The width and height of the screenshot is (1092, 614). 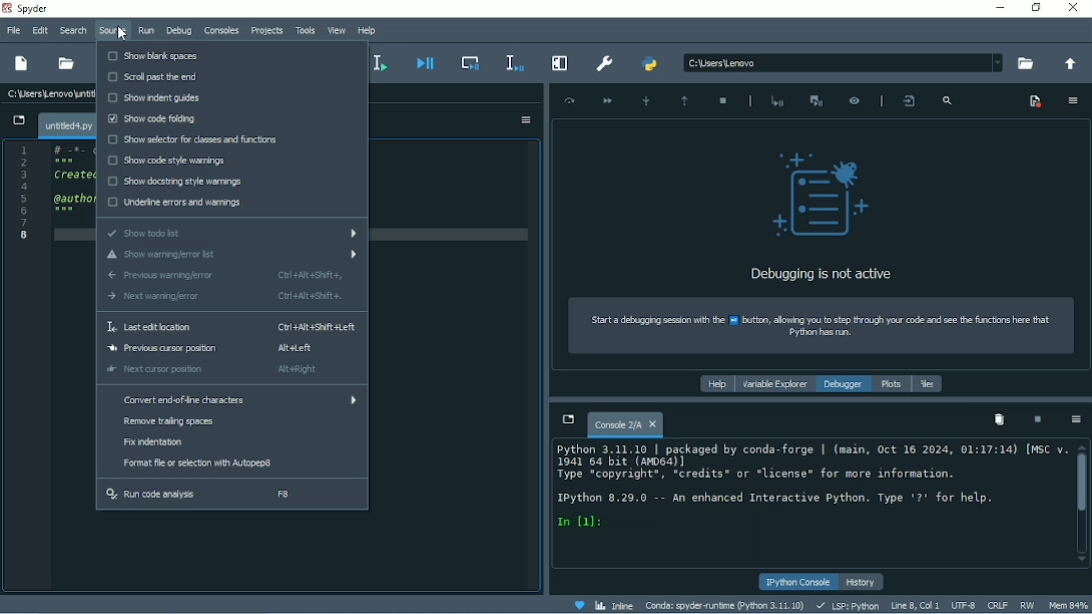 I want to click on Remove all variables from namespace, so click(x=995, y=420).